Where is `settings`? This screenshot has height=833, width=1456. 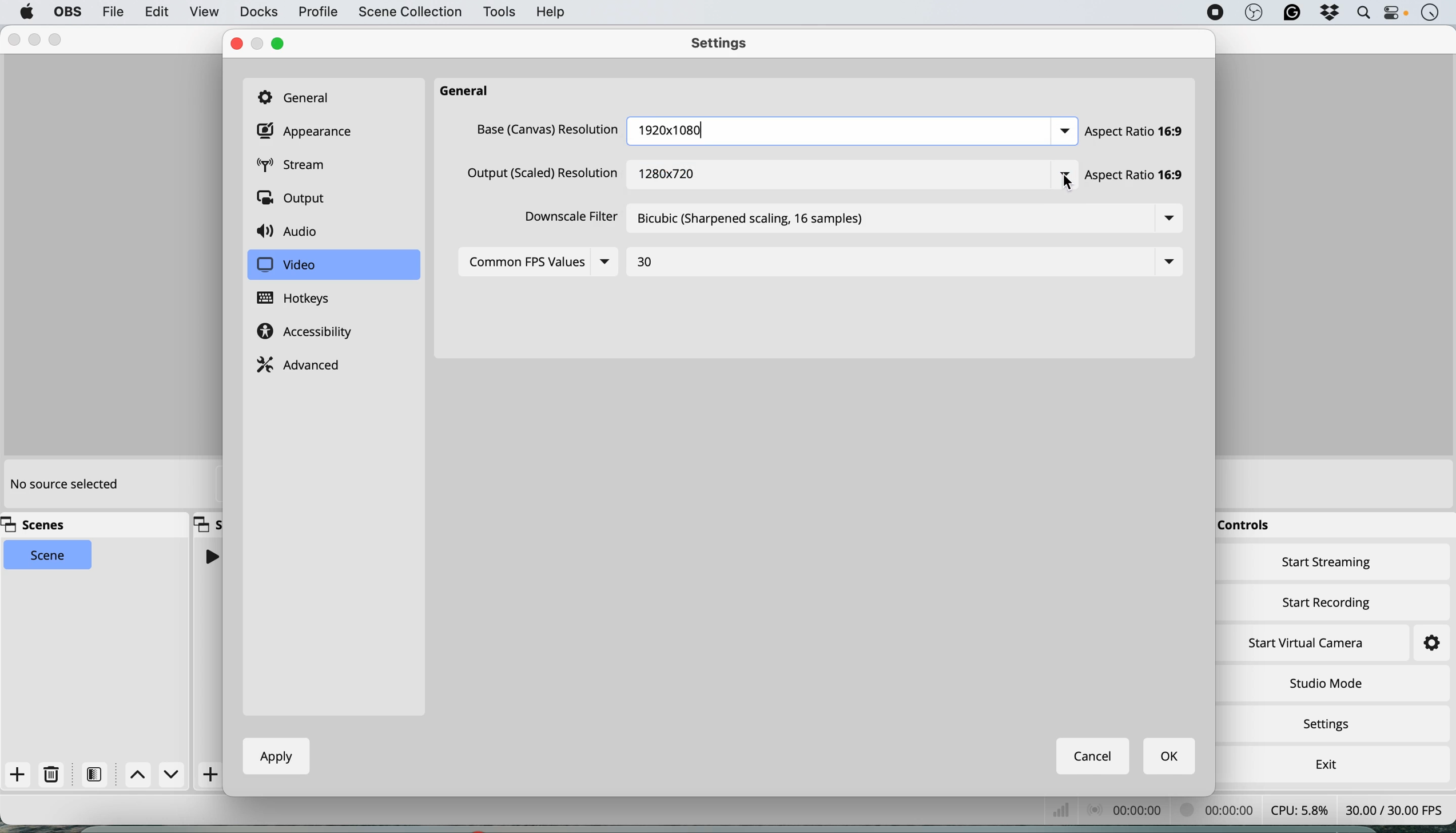
settings is located at coordinates (1331, 725).